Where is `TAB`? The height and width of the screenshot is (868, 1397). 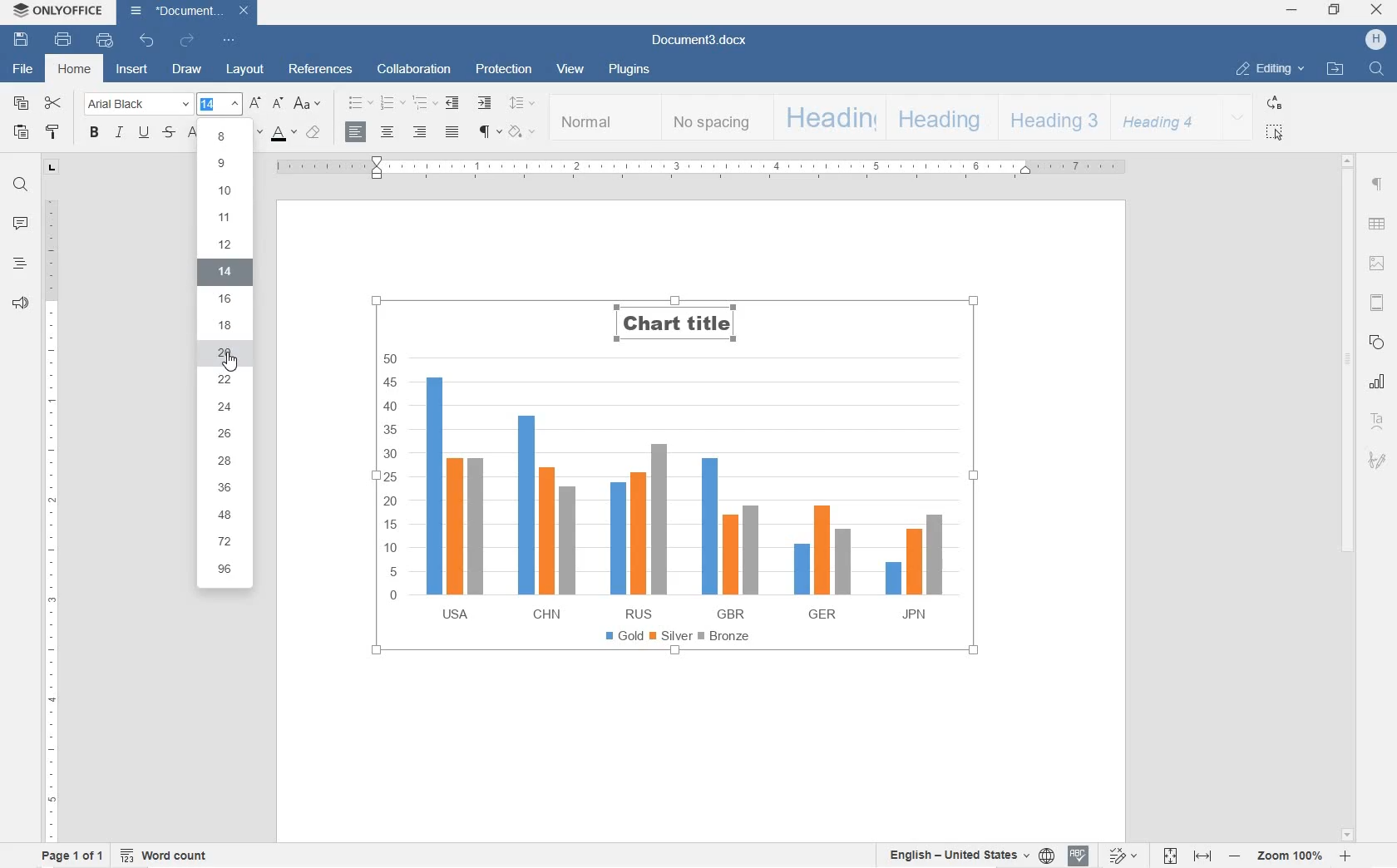 TAB is located at coordinates (52, 166).